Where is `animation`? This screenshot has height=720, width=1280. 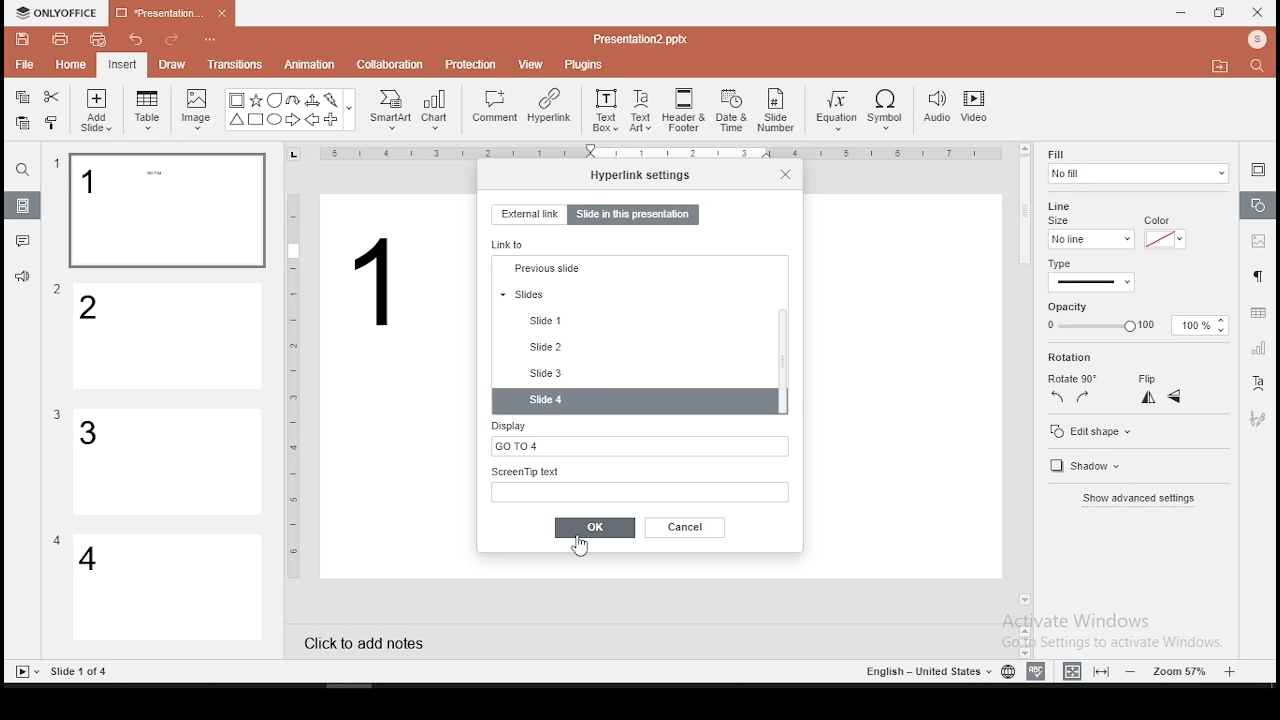
animation is located at coordinates (308, 66).